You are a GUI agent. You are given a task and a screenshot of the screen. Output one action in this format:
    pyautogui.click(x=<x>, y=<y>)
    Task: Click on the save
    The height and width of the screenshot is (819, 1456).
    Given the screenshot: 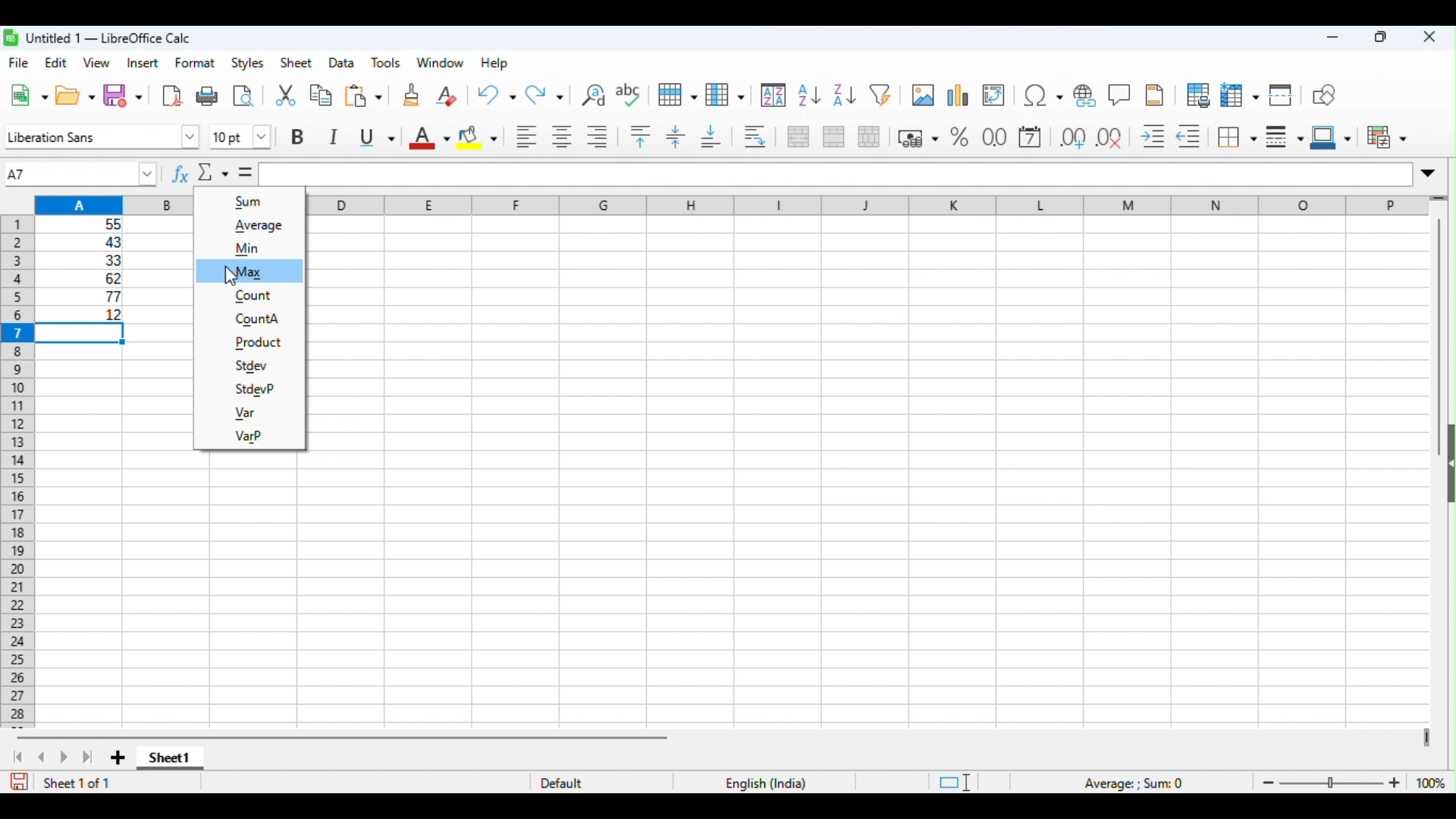 What is the action you would take?
    pyautogui.click(x=123, y=96)
    